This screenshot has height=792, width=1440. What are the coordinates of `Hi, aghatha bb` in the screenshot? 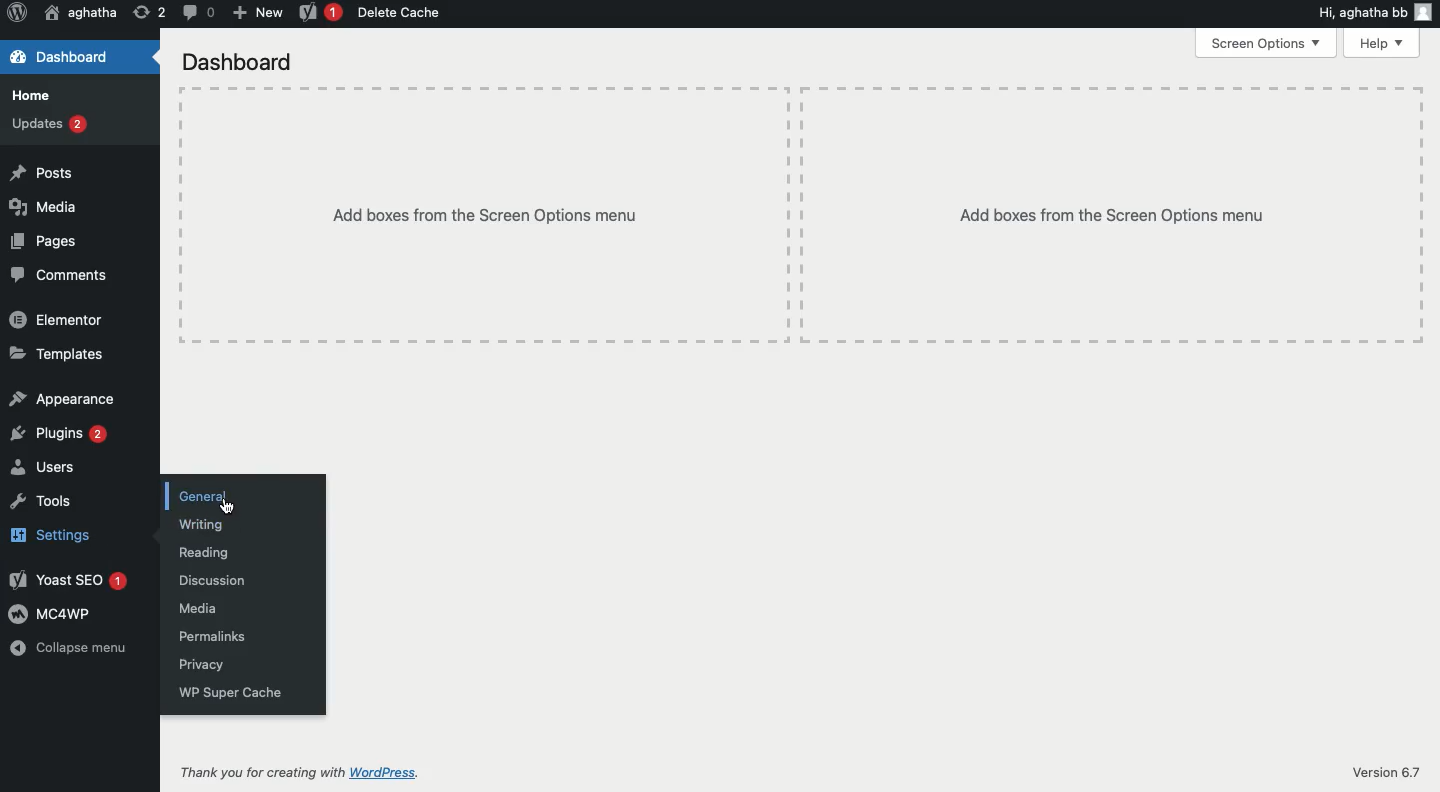 It's located at (1369, 13).